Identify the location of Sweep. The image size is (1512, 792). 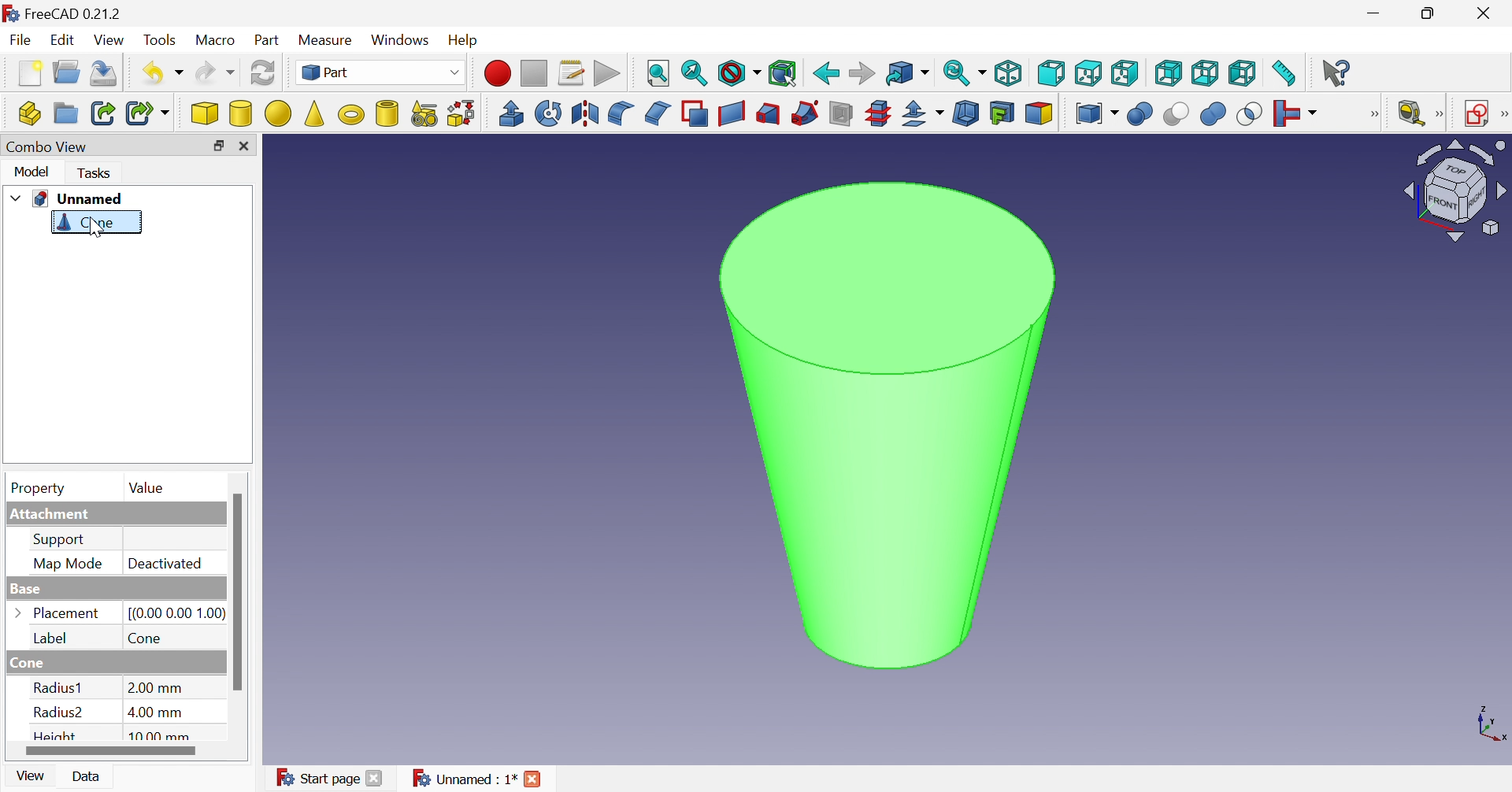
(805, 112).